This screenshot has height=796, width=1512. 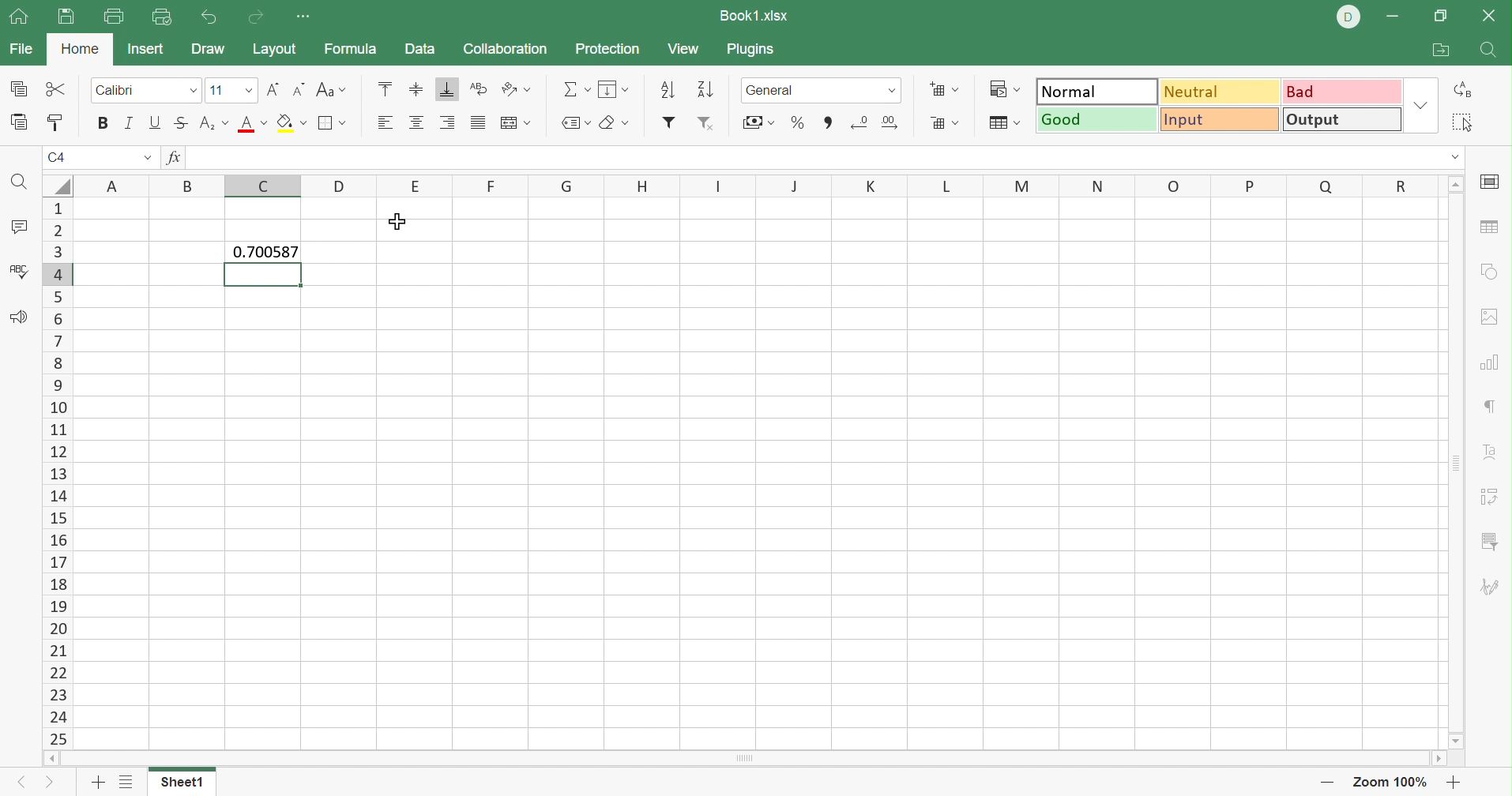 I want to click on Underline, so click(x=154, y=121).